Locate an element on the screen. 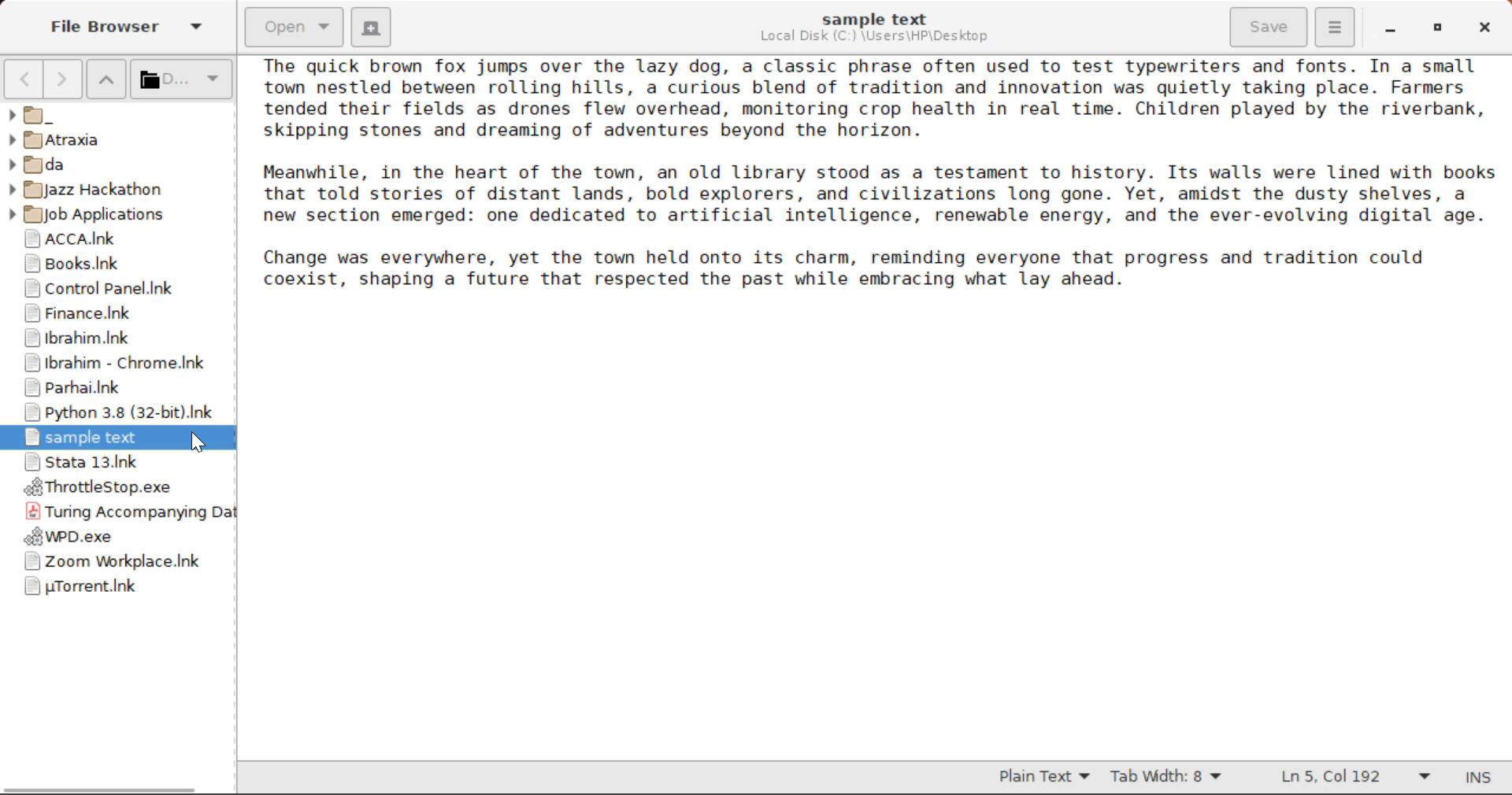 The height and width of the screenshot is (795, 1512). ThrottleStop Application is located at coordinates (113, 488).